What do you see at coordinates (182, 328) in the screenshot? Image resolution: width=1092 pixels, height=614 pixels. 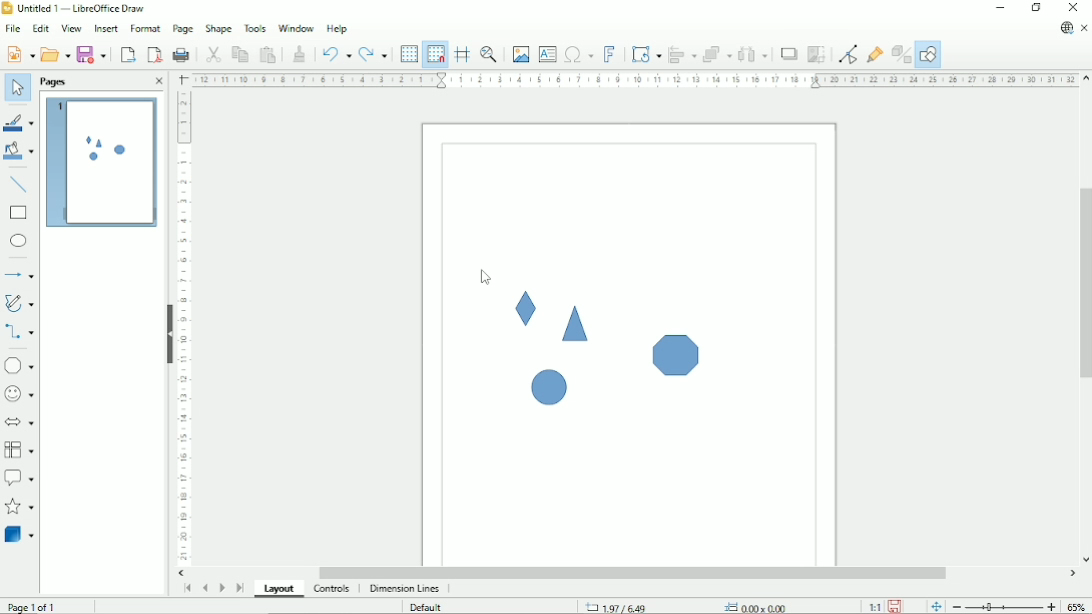 I see `Vertical scale` at bounding box center [182, 328].